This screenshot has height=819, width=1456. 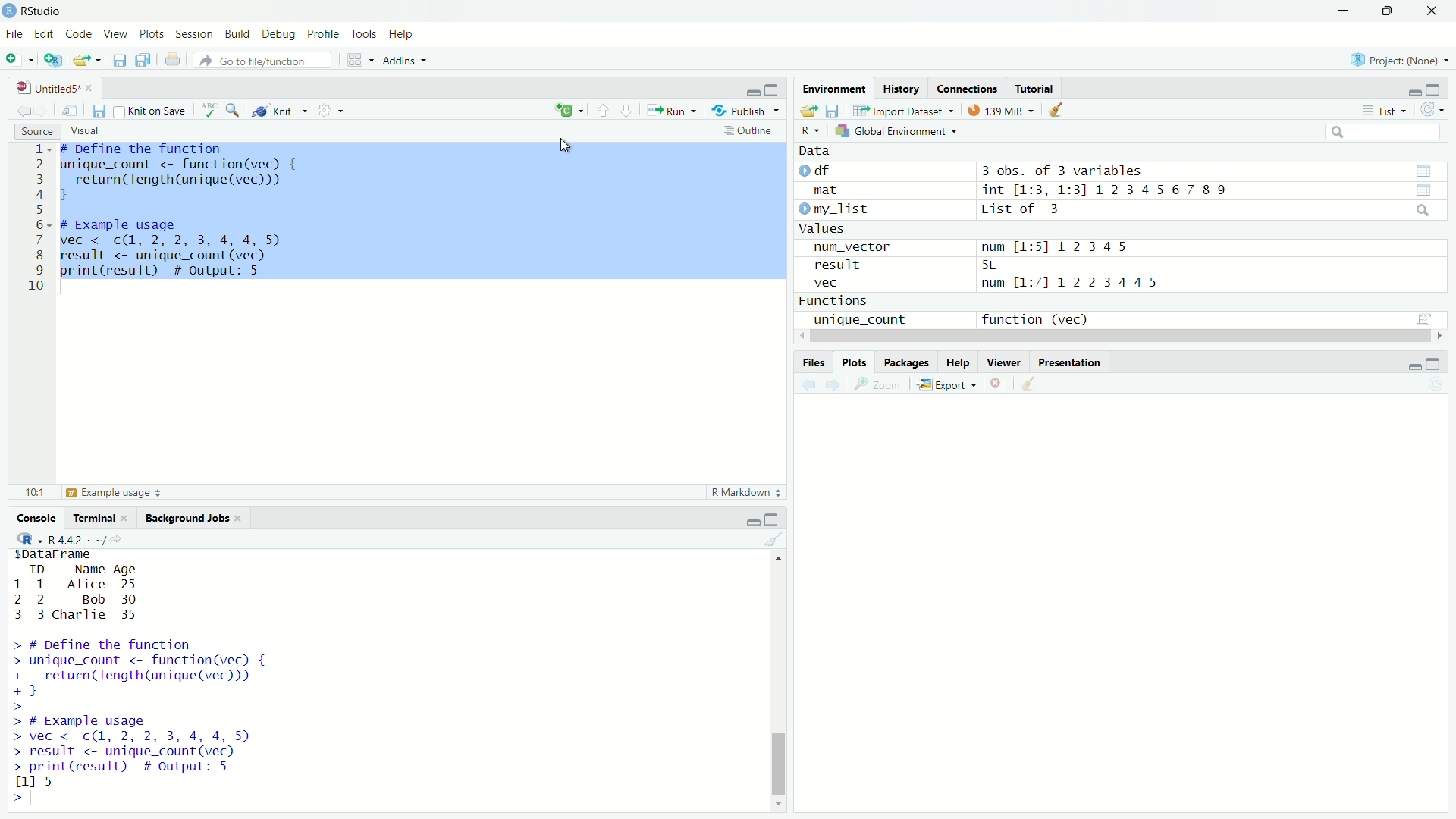 What do you see at coordinates (882, 384) in the screenshot?
I see `Zoom` at bounding box center [882, 384].